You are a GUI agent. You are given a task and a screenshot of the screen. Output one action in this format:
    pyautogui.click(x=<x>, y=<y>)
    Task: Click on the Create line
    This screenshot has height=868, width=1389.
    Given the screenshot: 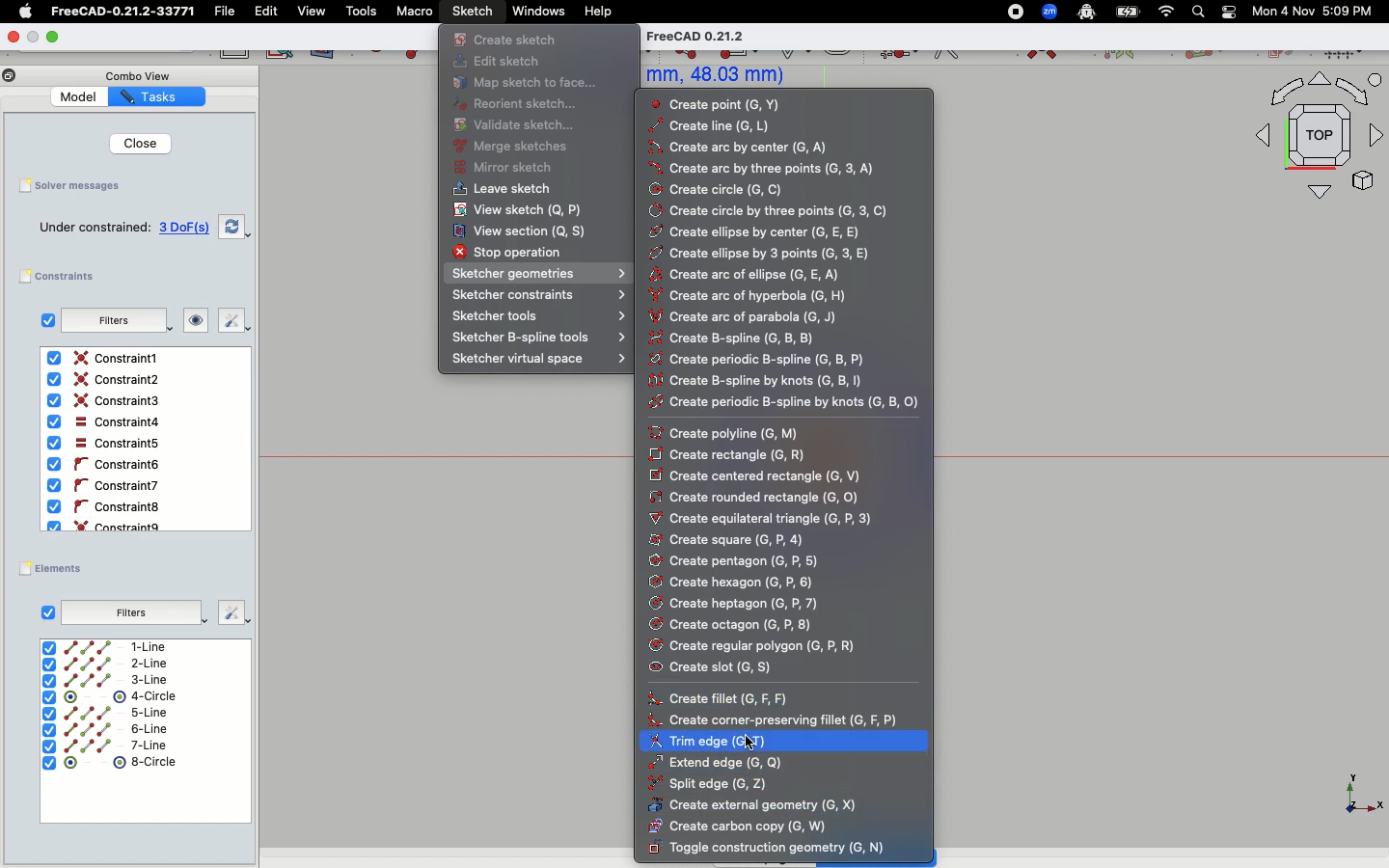 What is the action you would take?
    pyautogui.click(x=717, y=127)
    